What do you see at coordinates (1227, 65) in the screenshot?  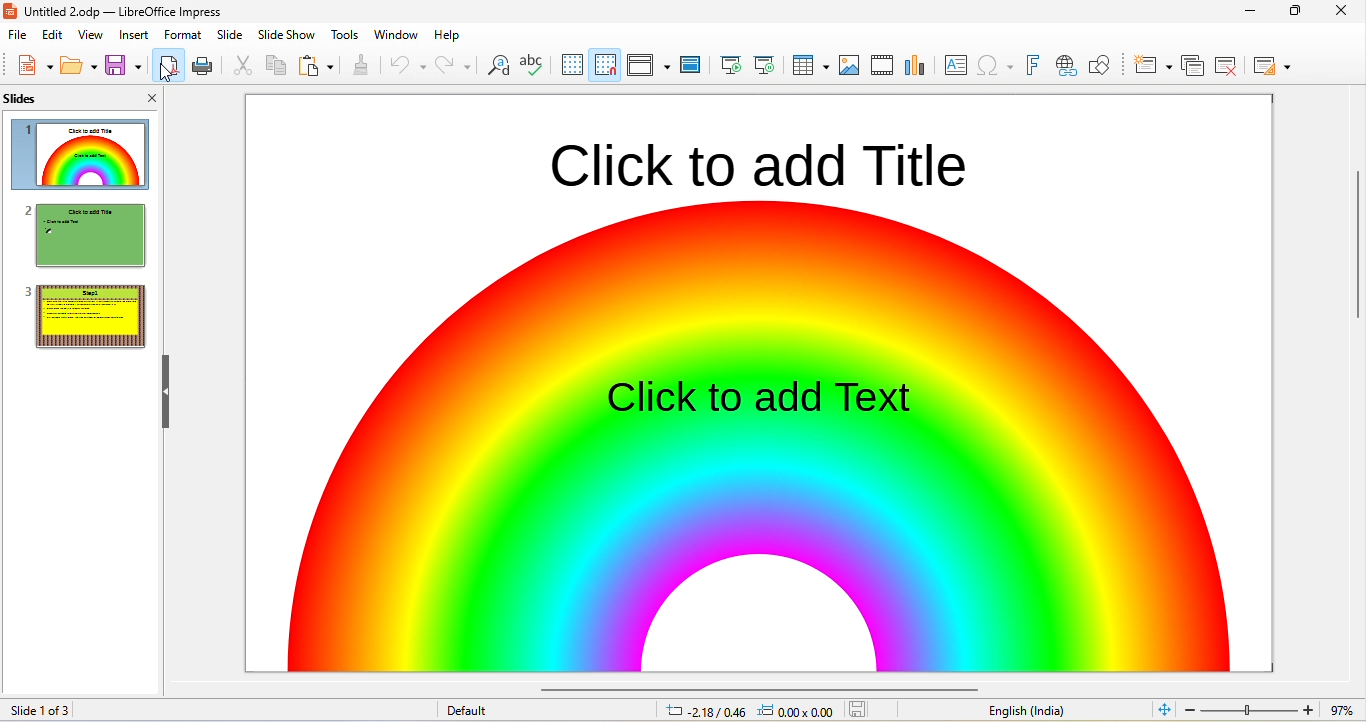 I see `delete slide` at bounding box center [1227, 65].